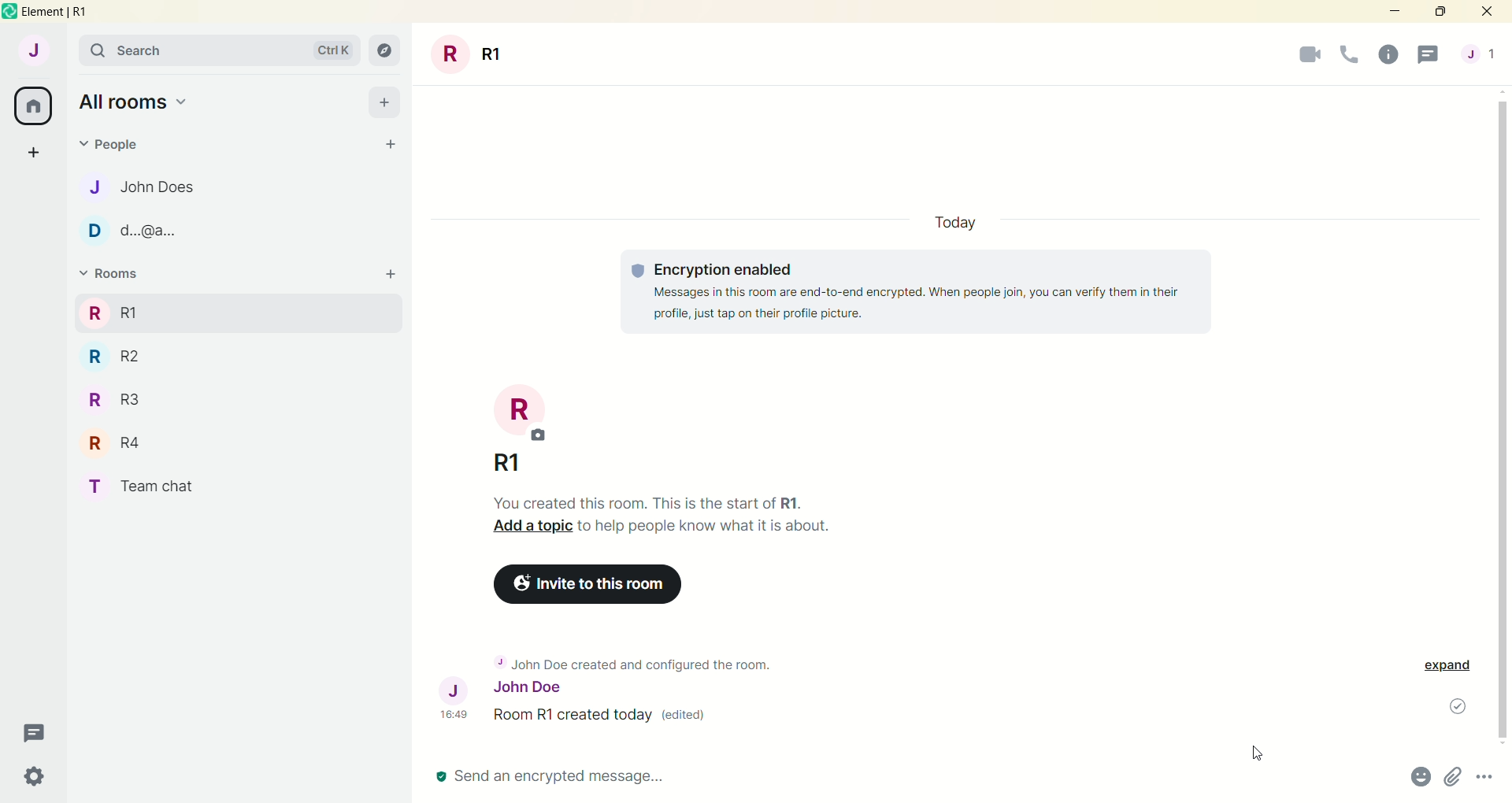  Describe the element at coordinates (1450, 669) in the screenshot. I see `expand` at that location.